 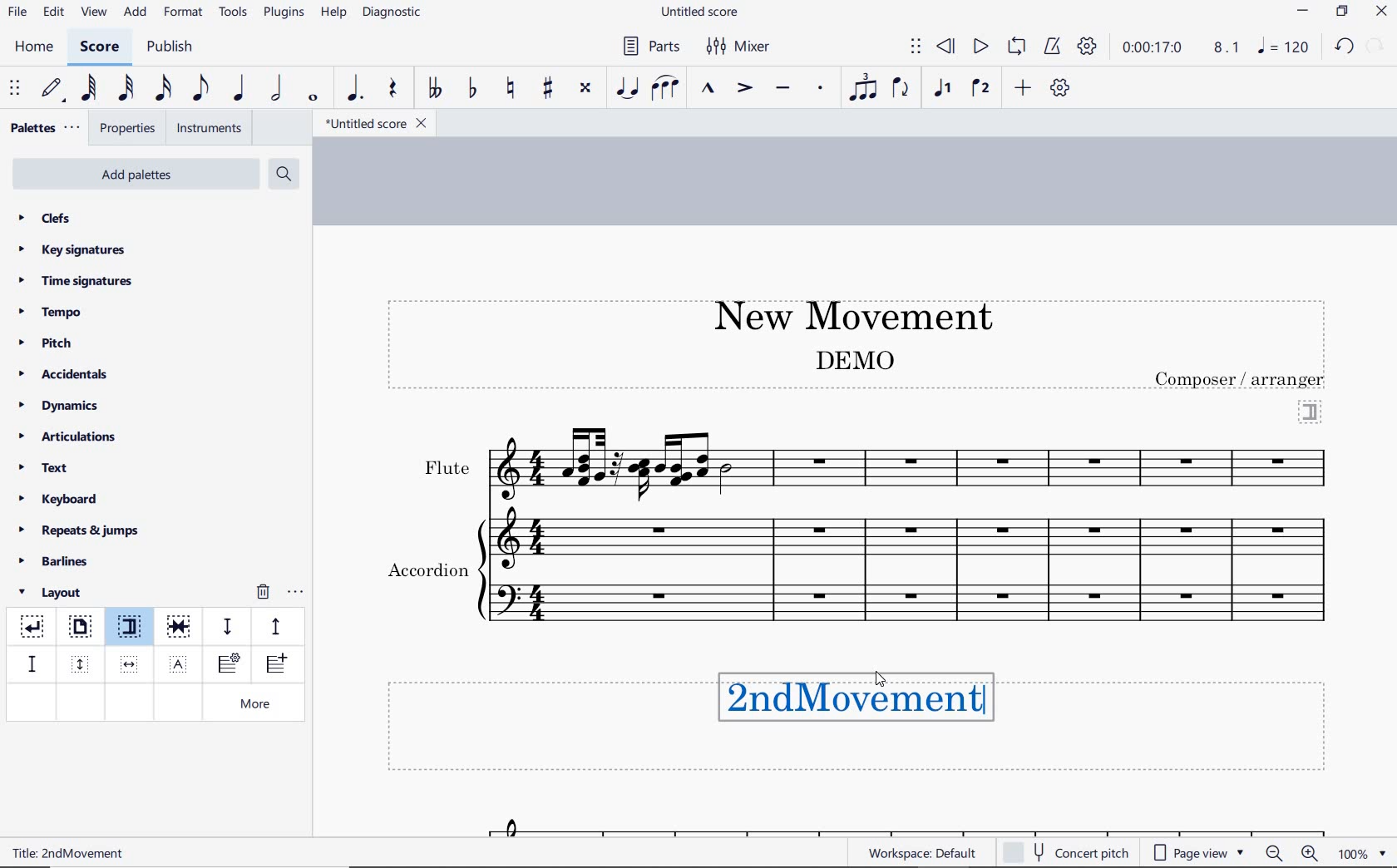 I want to click on quarter note, so click(x=238, y=89).